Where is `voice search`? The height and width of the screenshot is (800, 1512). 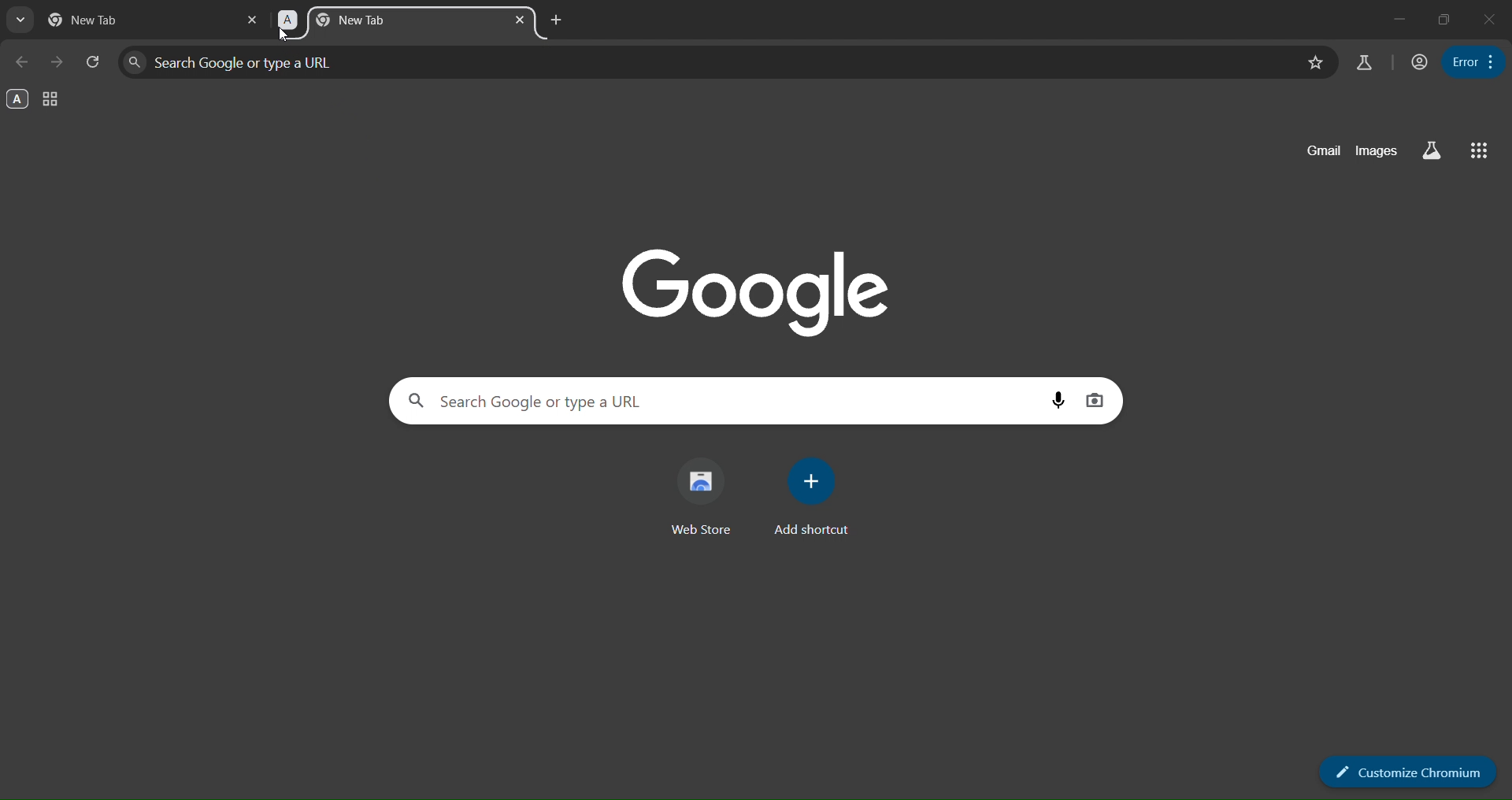 voice search is located at coordinates (1058, 399).